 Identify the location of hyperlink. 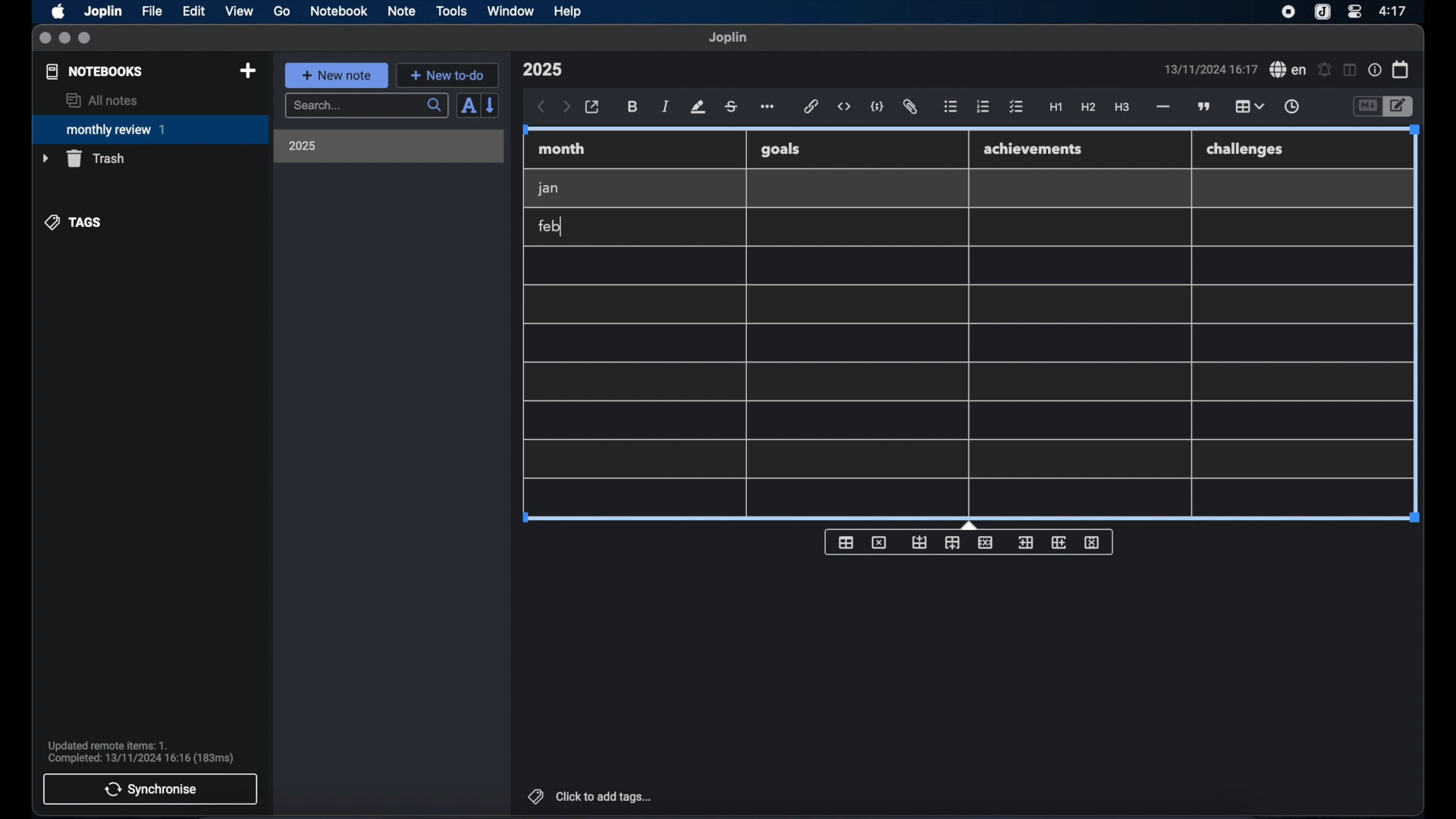
(811, 106).